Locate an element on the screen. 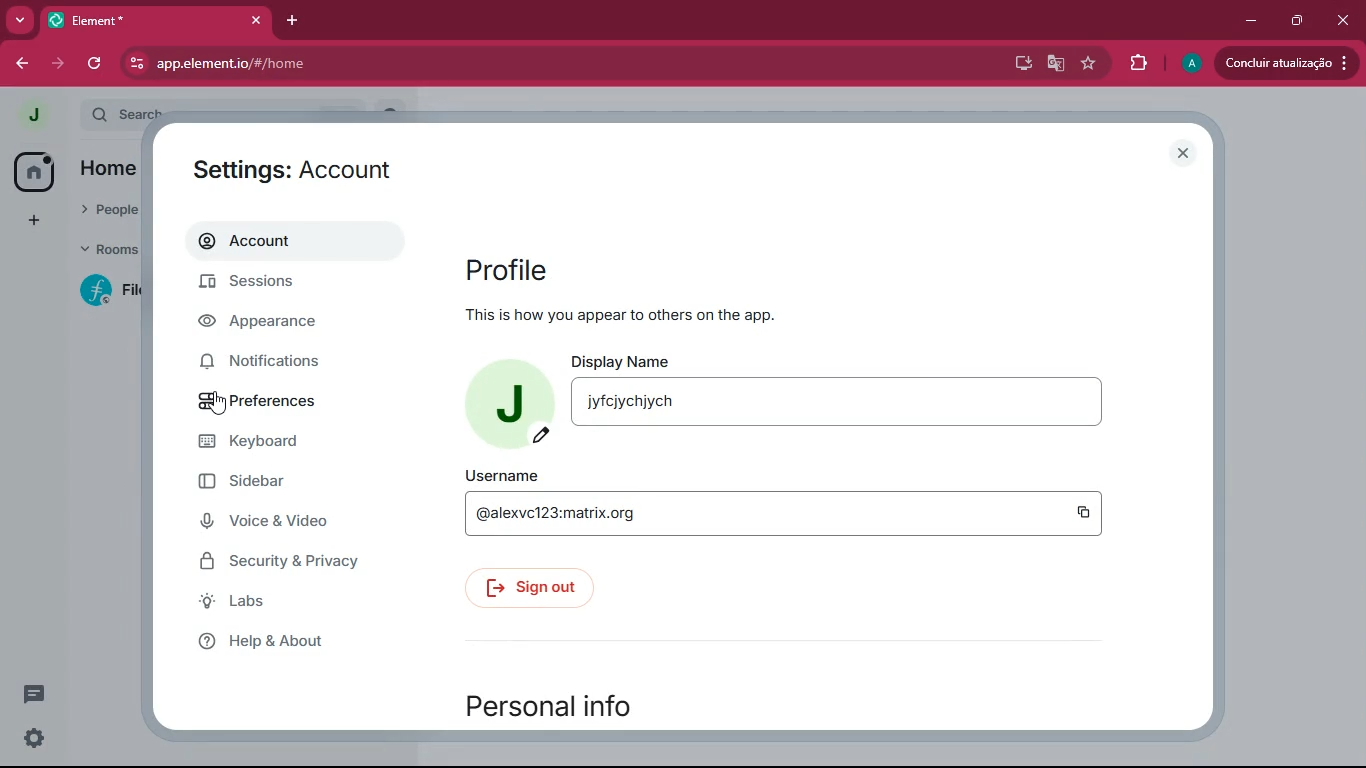 The image size is (1366, 768). google translate is located at coordinates (1054, 63).